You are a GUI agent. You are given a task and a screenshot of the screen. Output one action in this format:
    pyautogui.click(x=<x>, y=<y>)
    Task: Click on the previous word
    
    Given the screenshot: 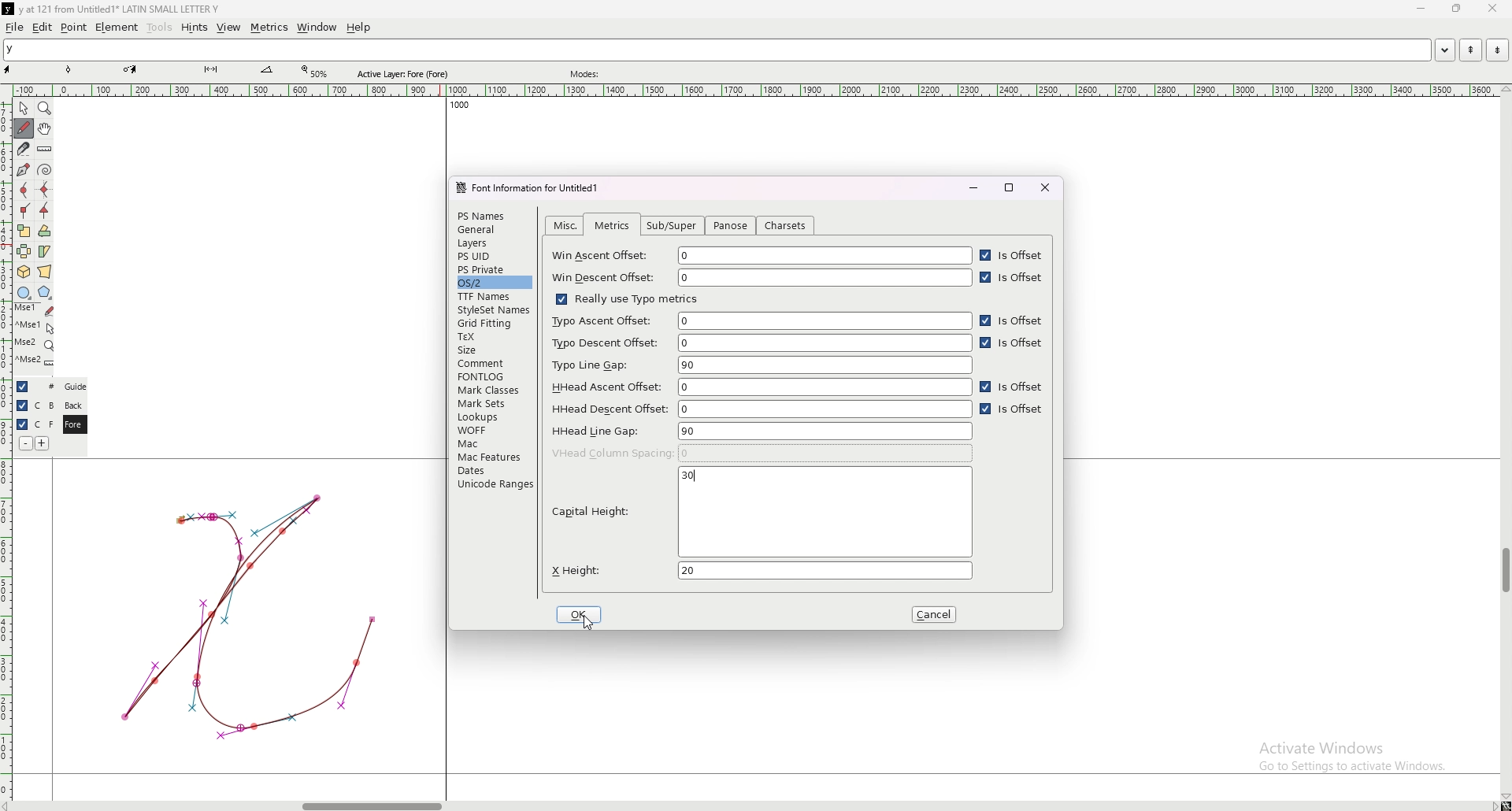 What is the action you would take?
    pyautogui.click(x=1469, y=50)
    